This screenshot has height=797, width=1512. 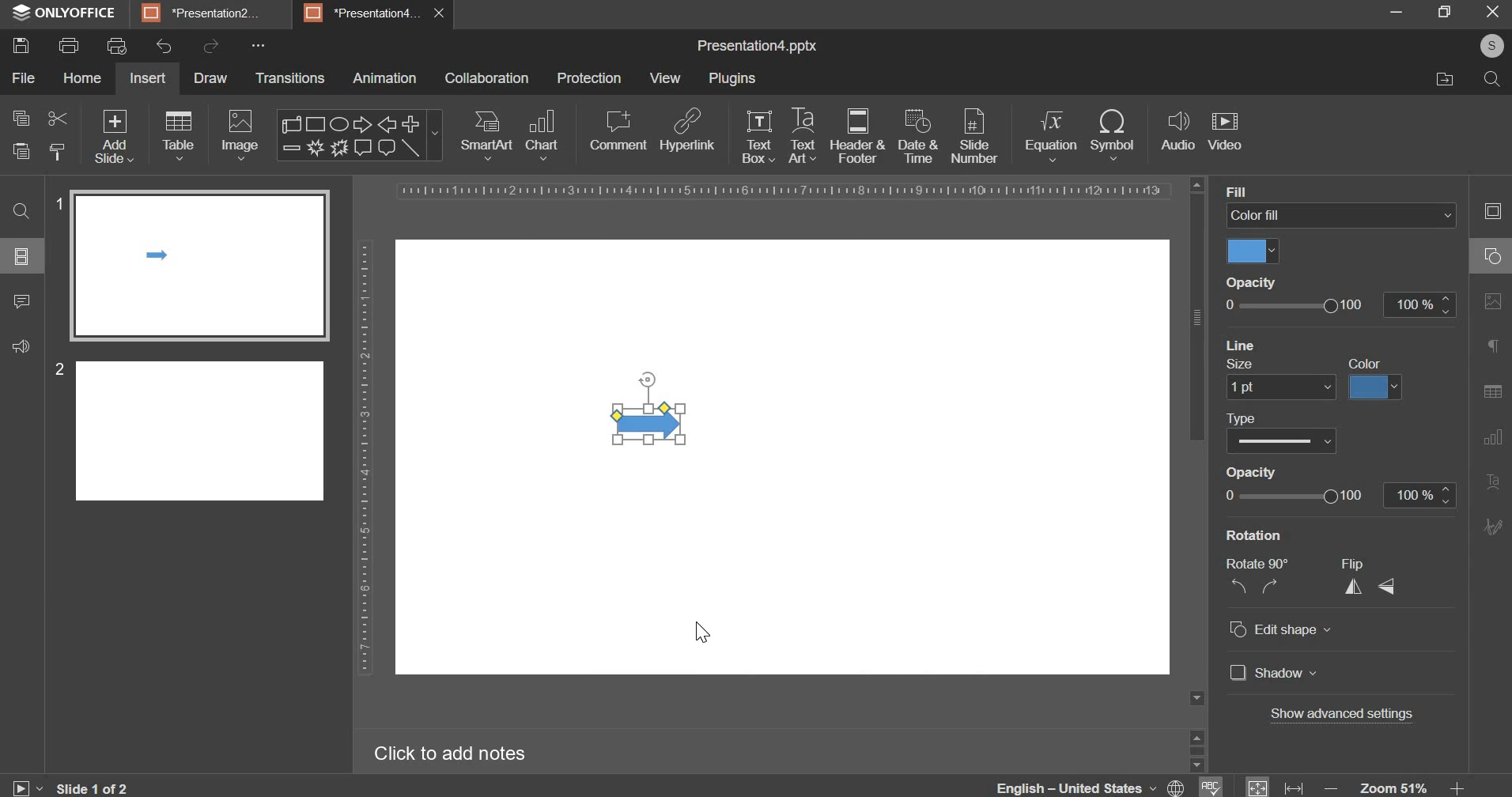 I want to click on language, so click(x=1091, y=784).